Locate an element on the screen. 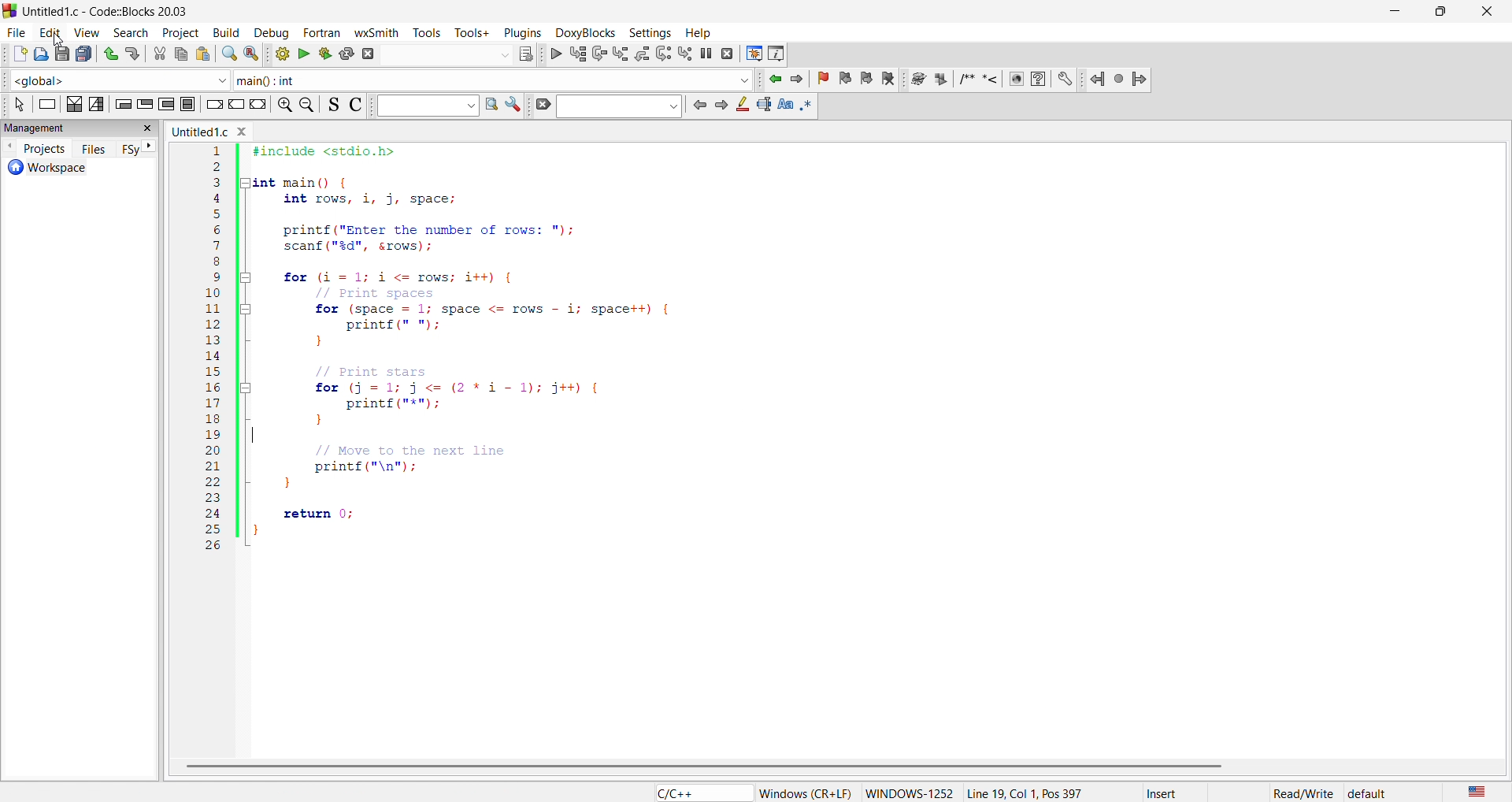 The height and width of the screenshot is (802, 1512). search is located at coordinates (126, 31).